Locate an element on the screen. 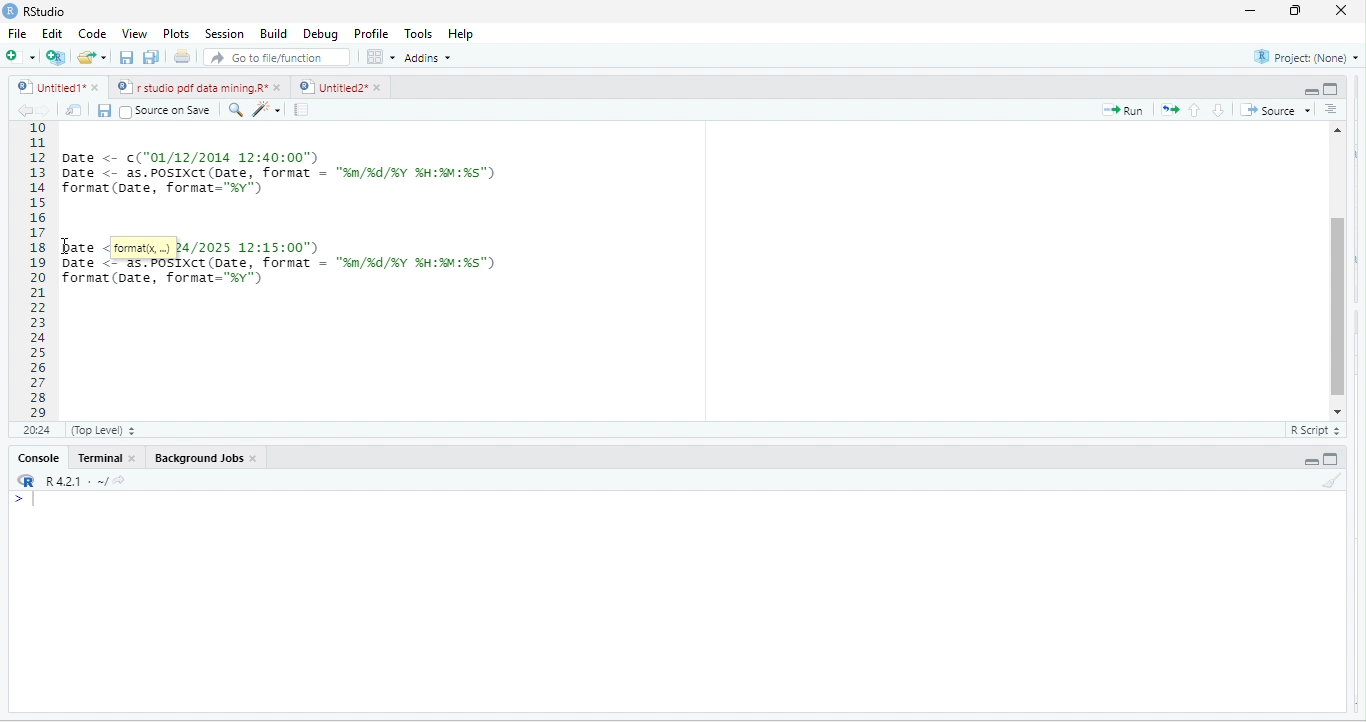 The width and height of the screenshot is (1366, 722). Code is located at coordinates (91, 35).